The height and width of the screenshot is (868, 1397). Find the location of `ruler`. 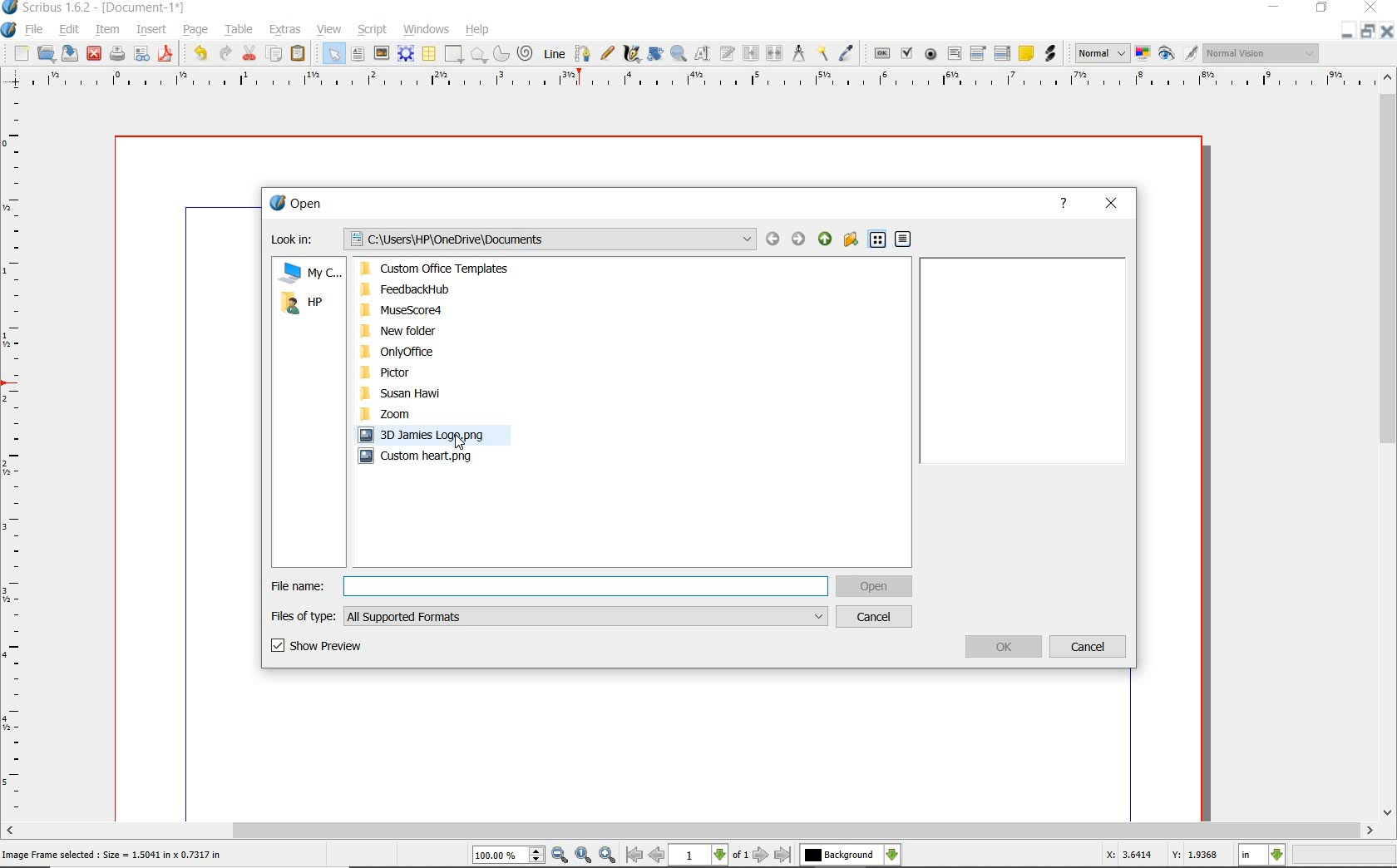

ruler is located at coordinates (16, 455).